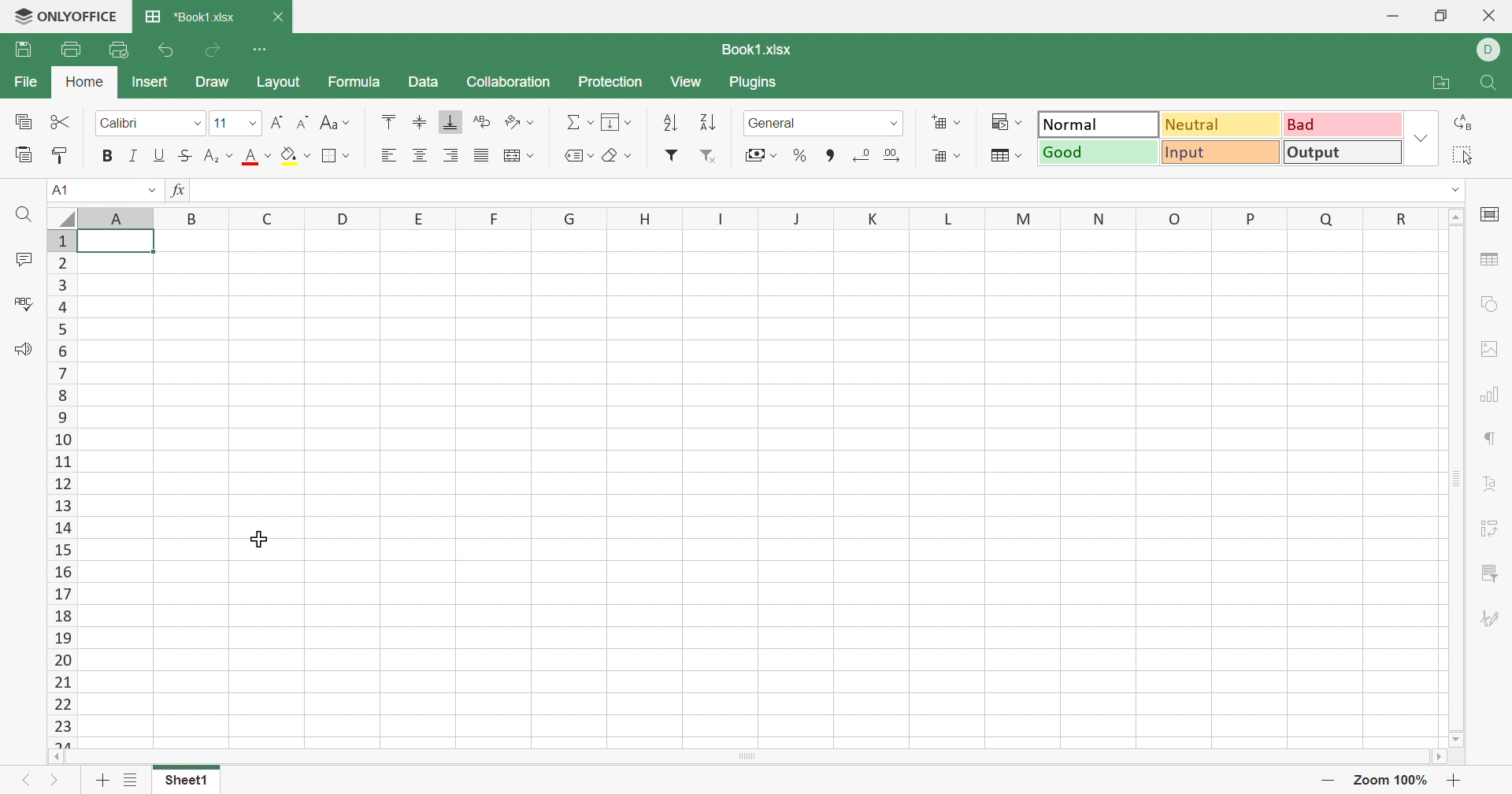 The image size is (1512, 794). I want to click on Drop Down, so click(775, 155).